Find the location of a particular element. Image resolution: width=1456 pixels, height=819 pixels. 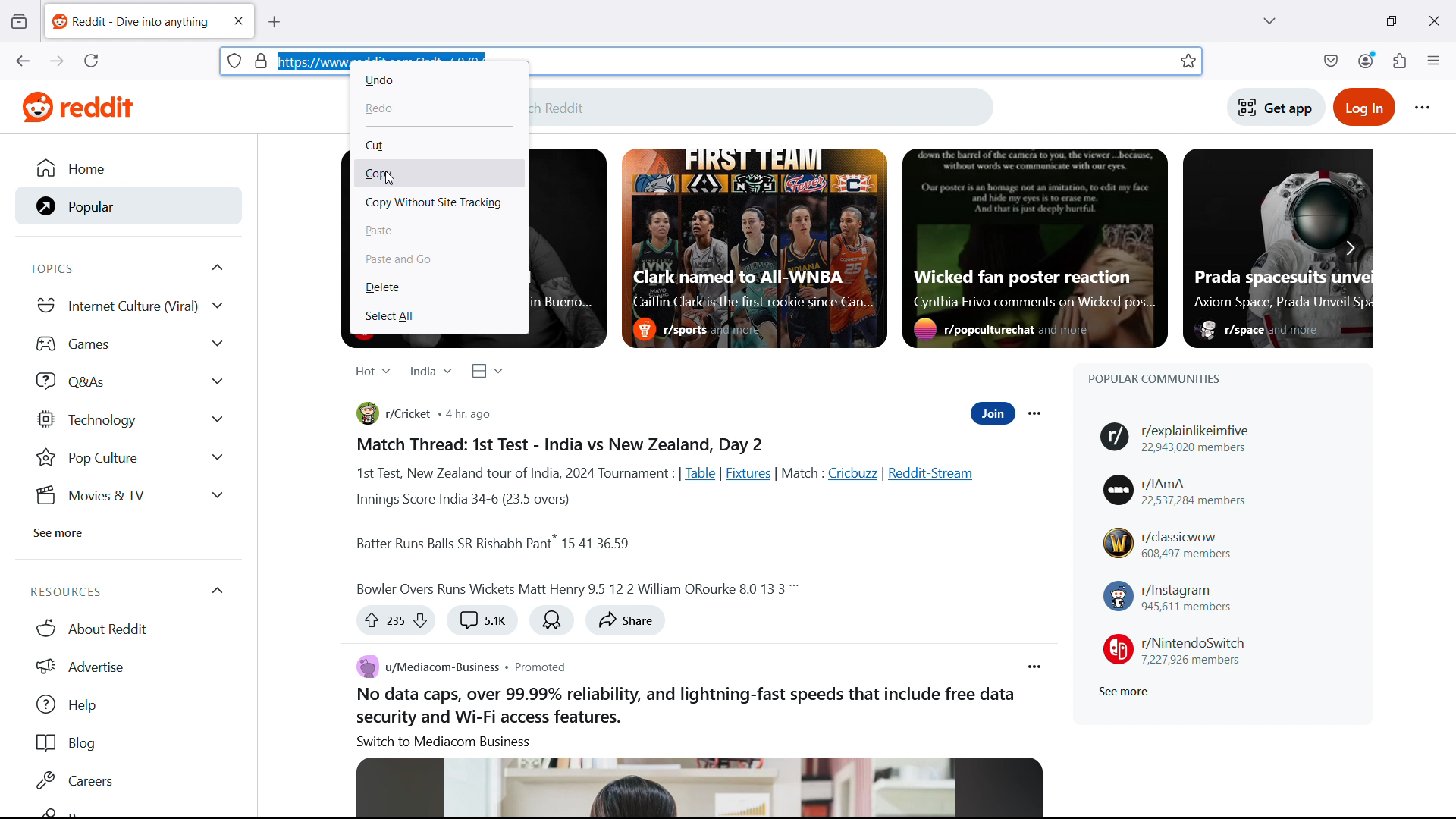

tab title is located at coordinates (131, 21).